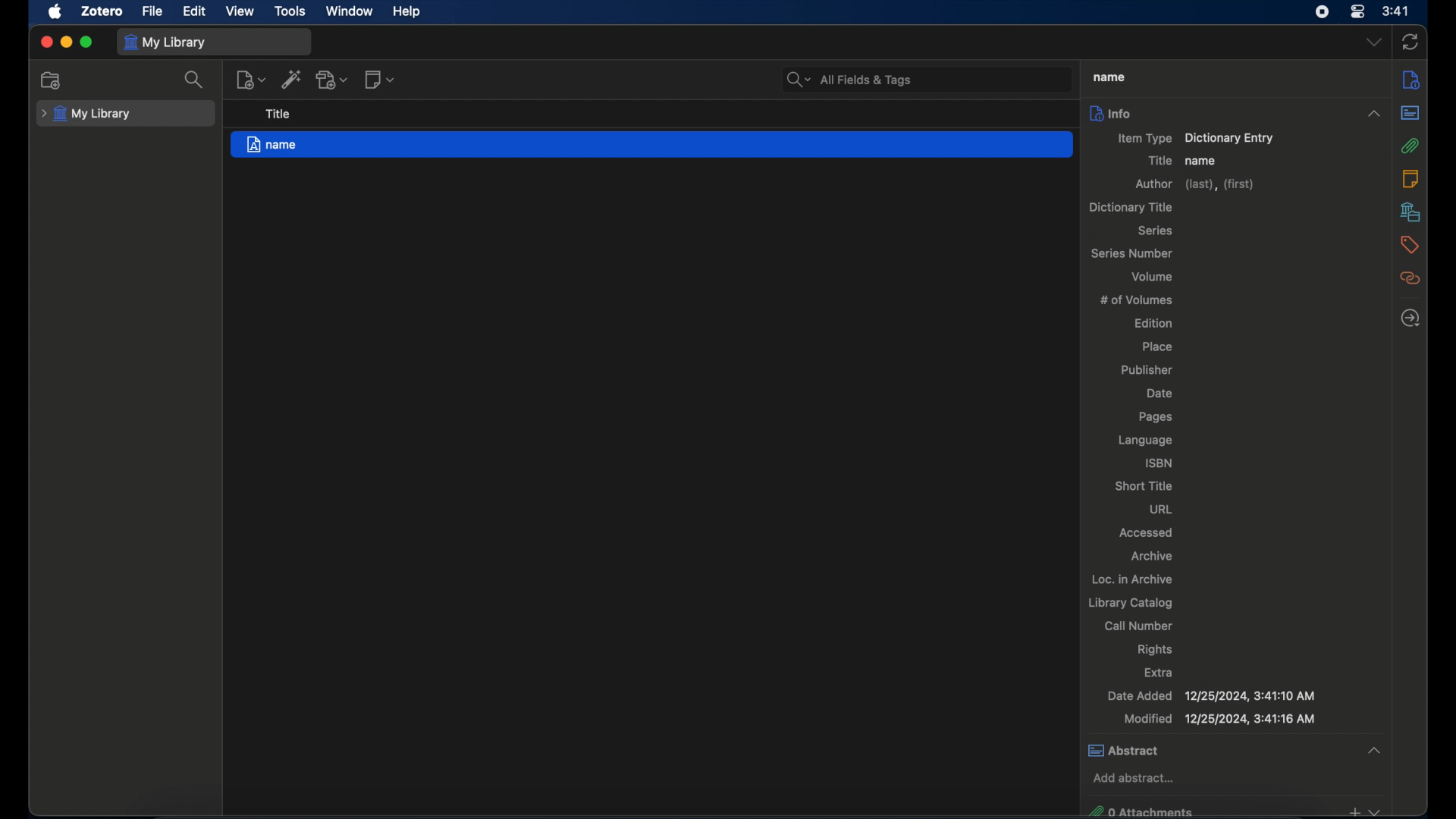 This screenshot has width=1456, height=819. I want to click on search, so click(194, 80).